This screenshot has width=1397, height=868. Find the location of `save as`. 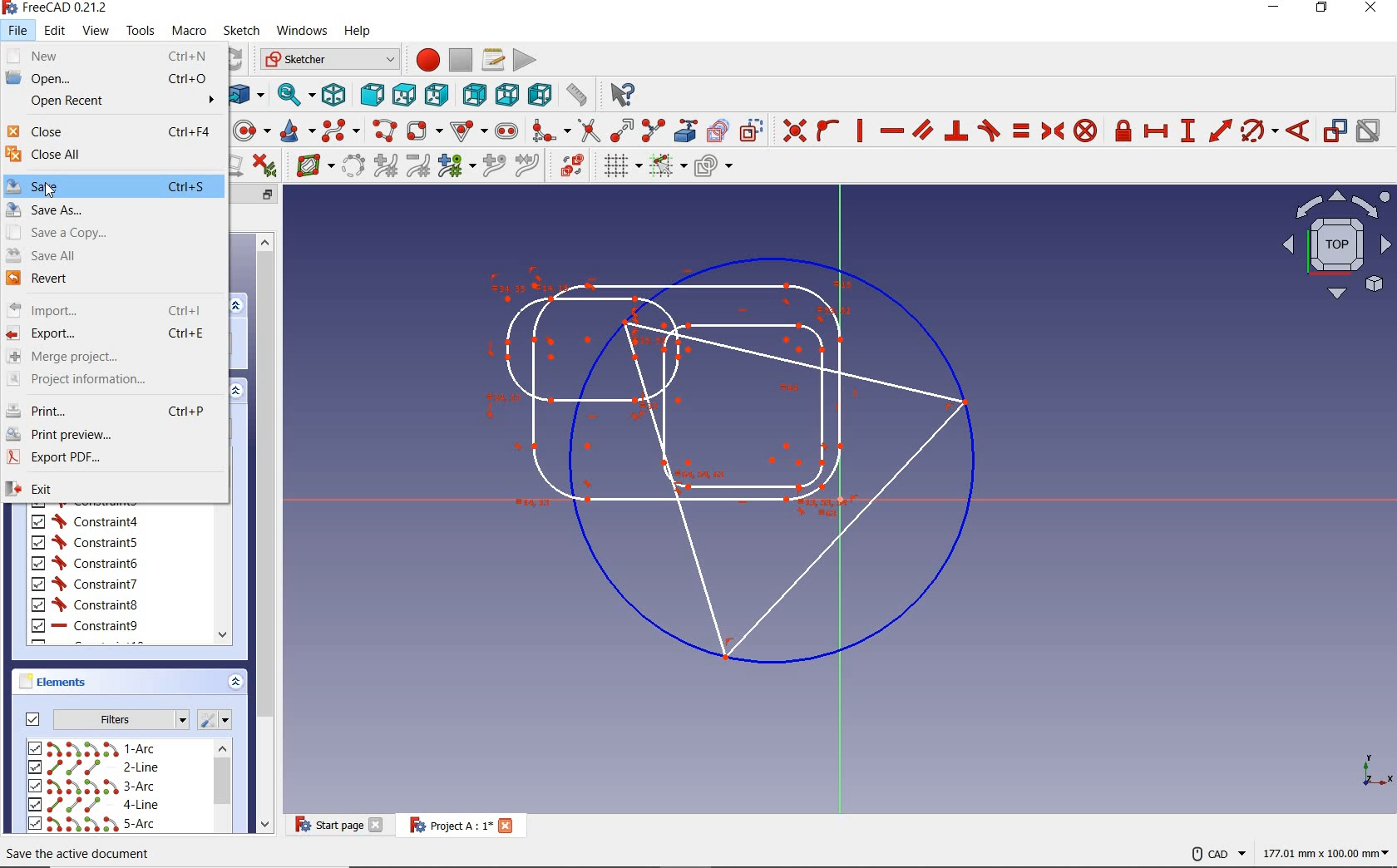

save as is located at coordinates (115, 209).